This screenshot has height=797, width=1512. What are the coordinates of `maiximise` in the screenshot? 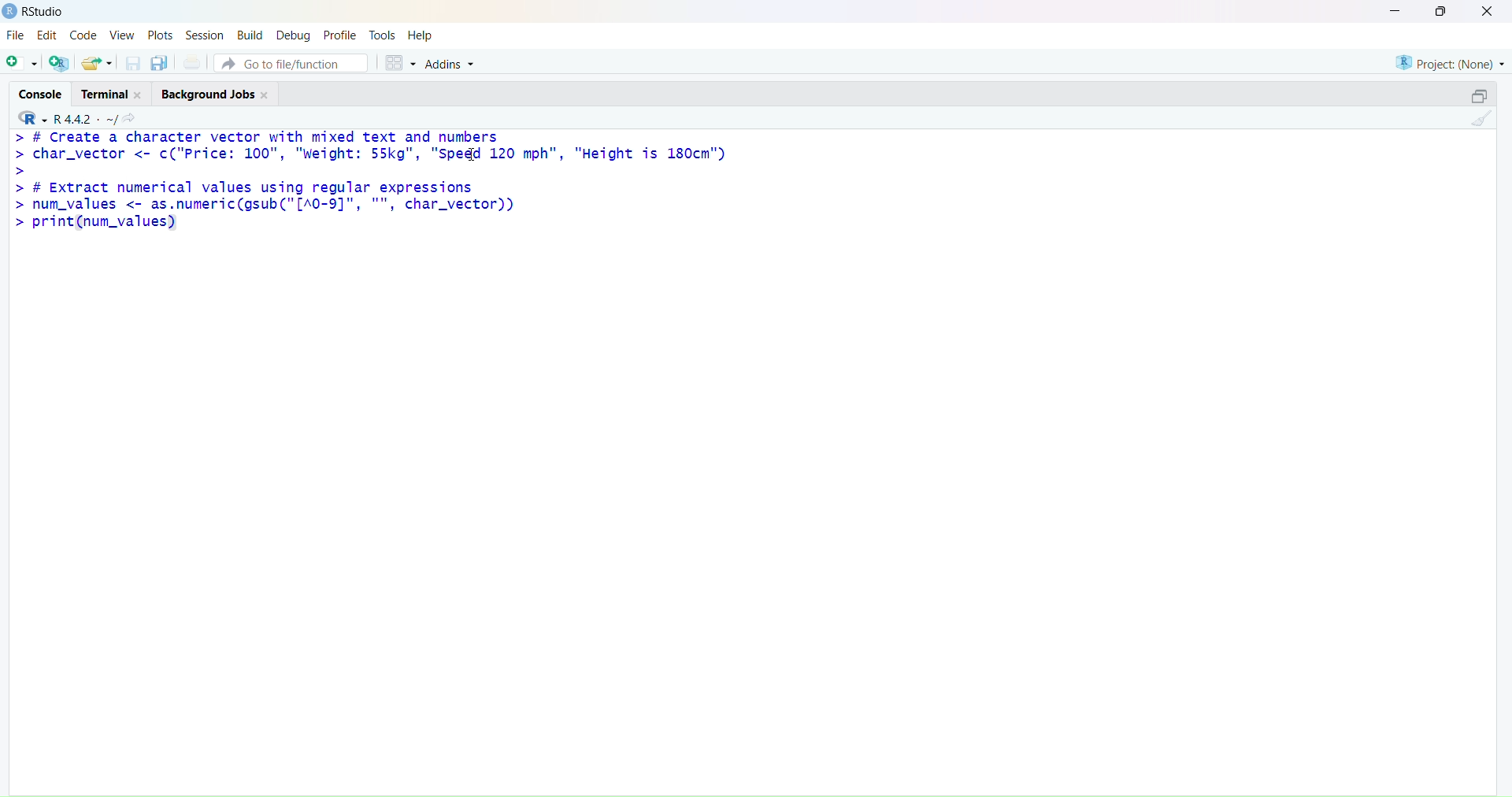 It's located at (1440, 11).